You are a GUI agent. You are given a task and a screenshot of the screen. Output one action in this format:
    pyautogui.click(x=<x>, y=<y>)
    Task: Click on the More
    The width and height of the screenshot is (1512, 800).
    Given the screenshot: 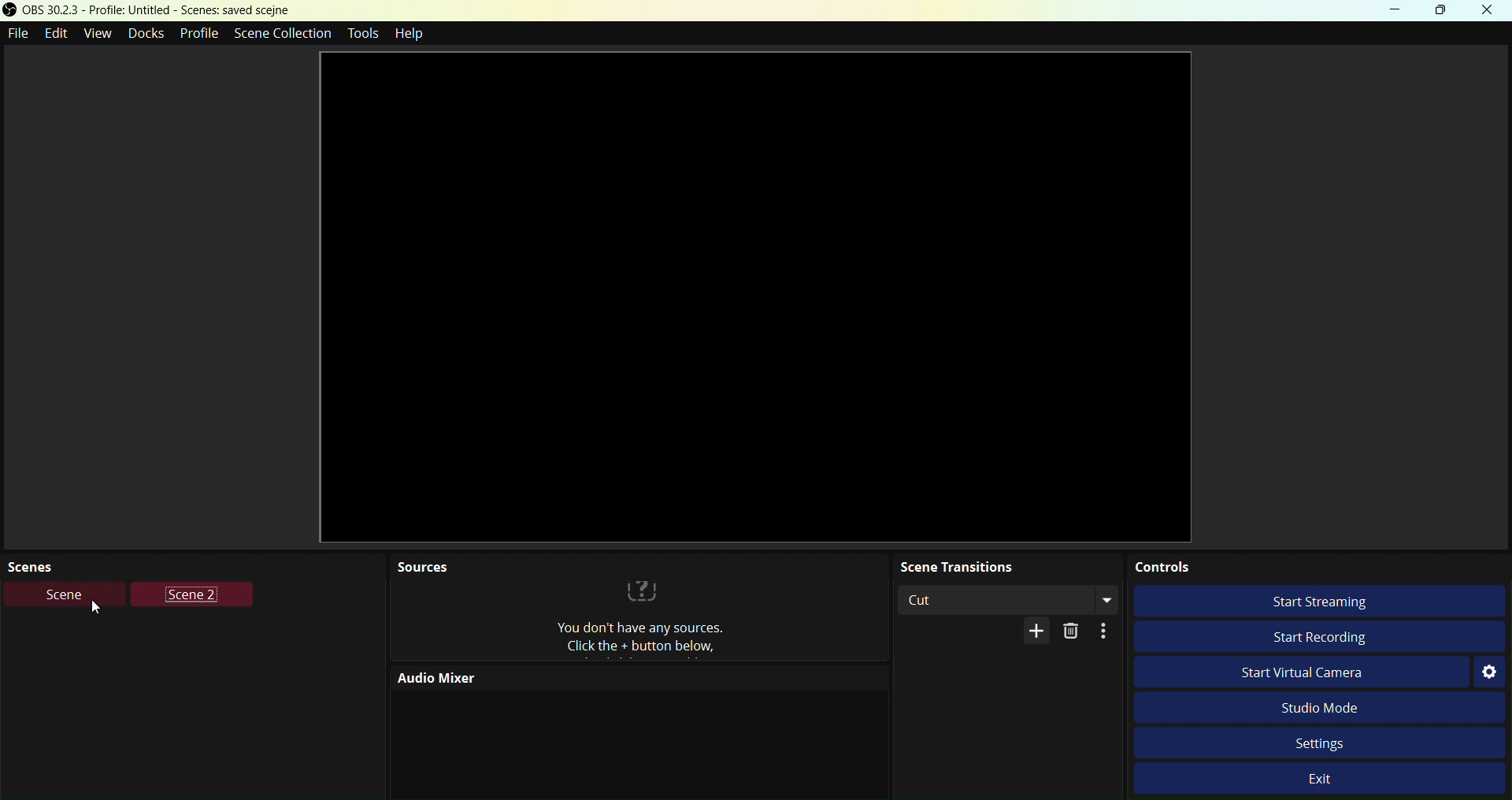 What is the action you would take?
    pyautogui.click(x=1037, y=632)
    